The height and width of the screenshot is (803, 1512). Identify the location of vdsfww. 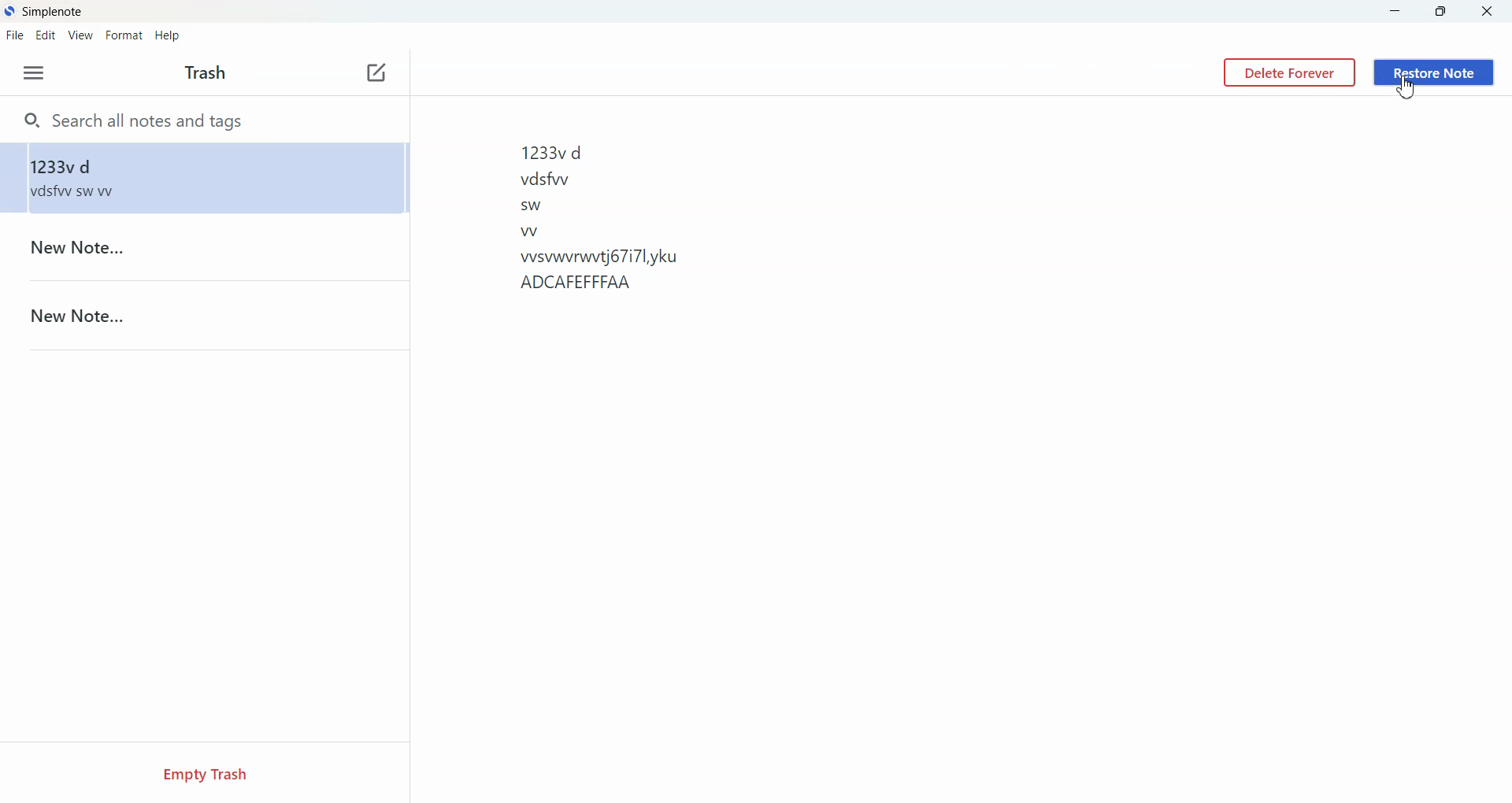
(546, 179).